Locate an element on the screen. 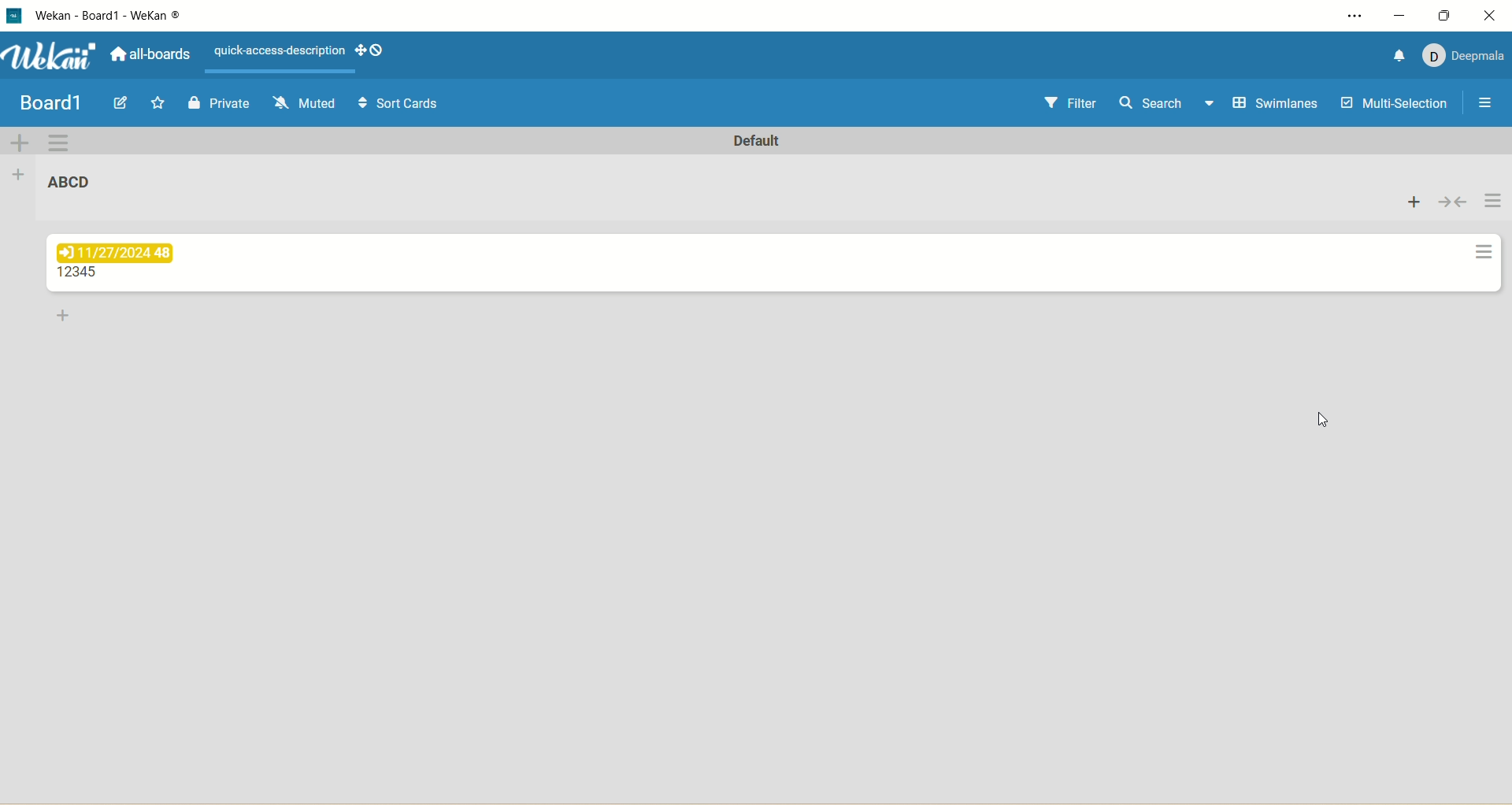  swimlane action is located at coordinates (59, 143).